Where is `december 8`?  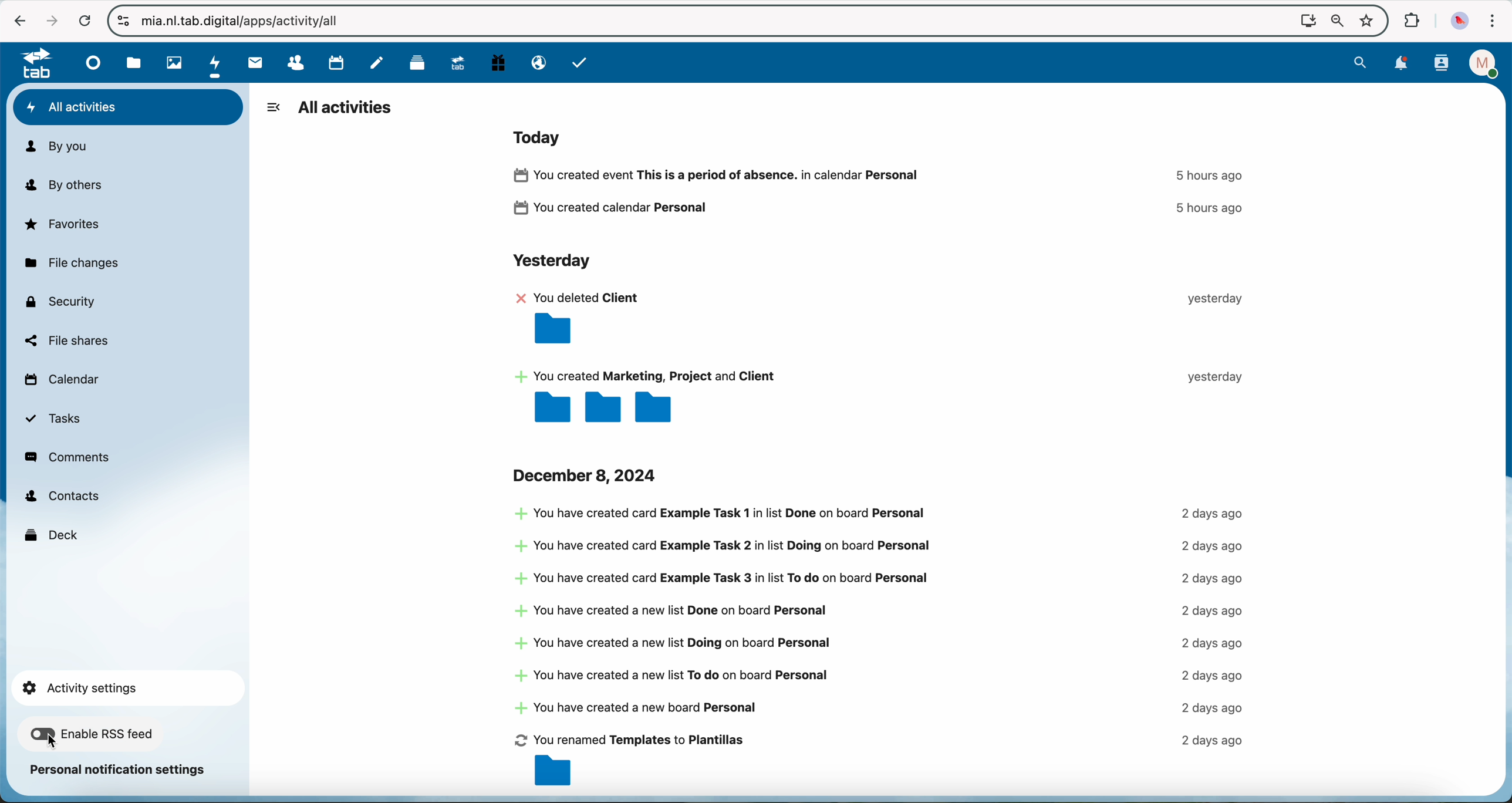
december 8 is located at coordinates (588, 475).